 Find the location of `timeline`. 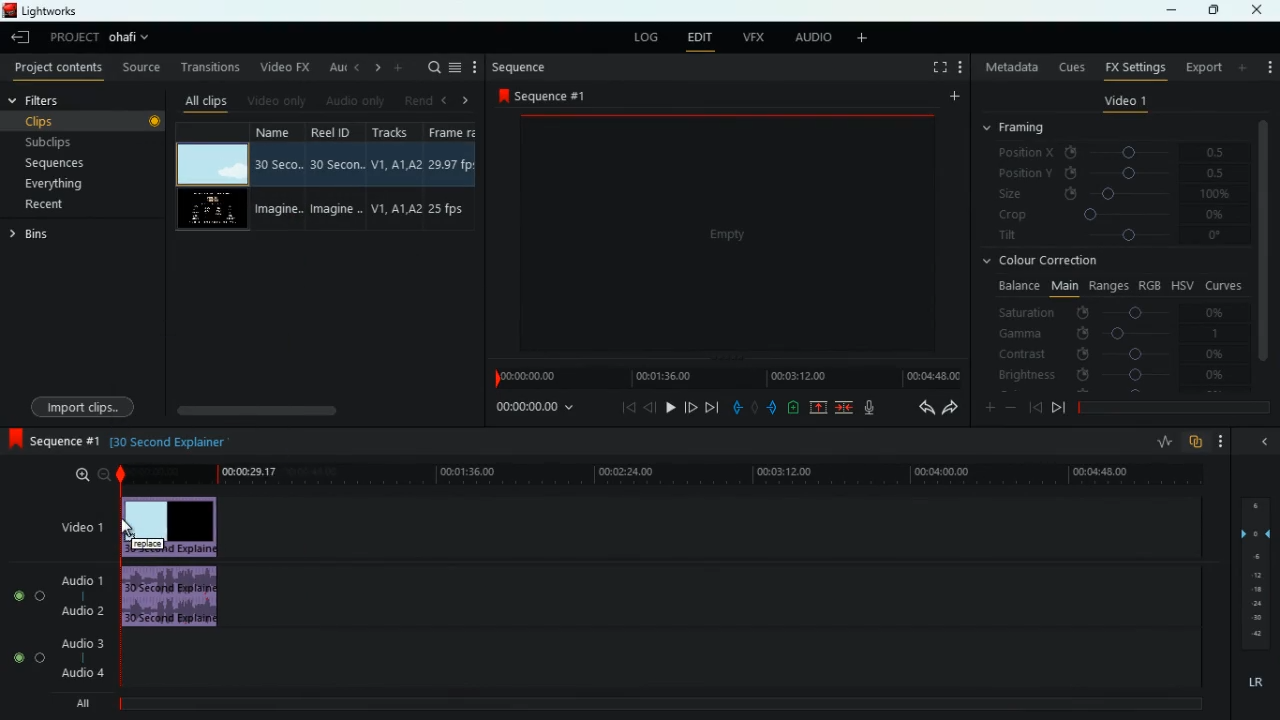

timeline is located at coordinates (1171, 407).